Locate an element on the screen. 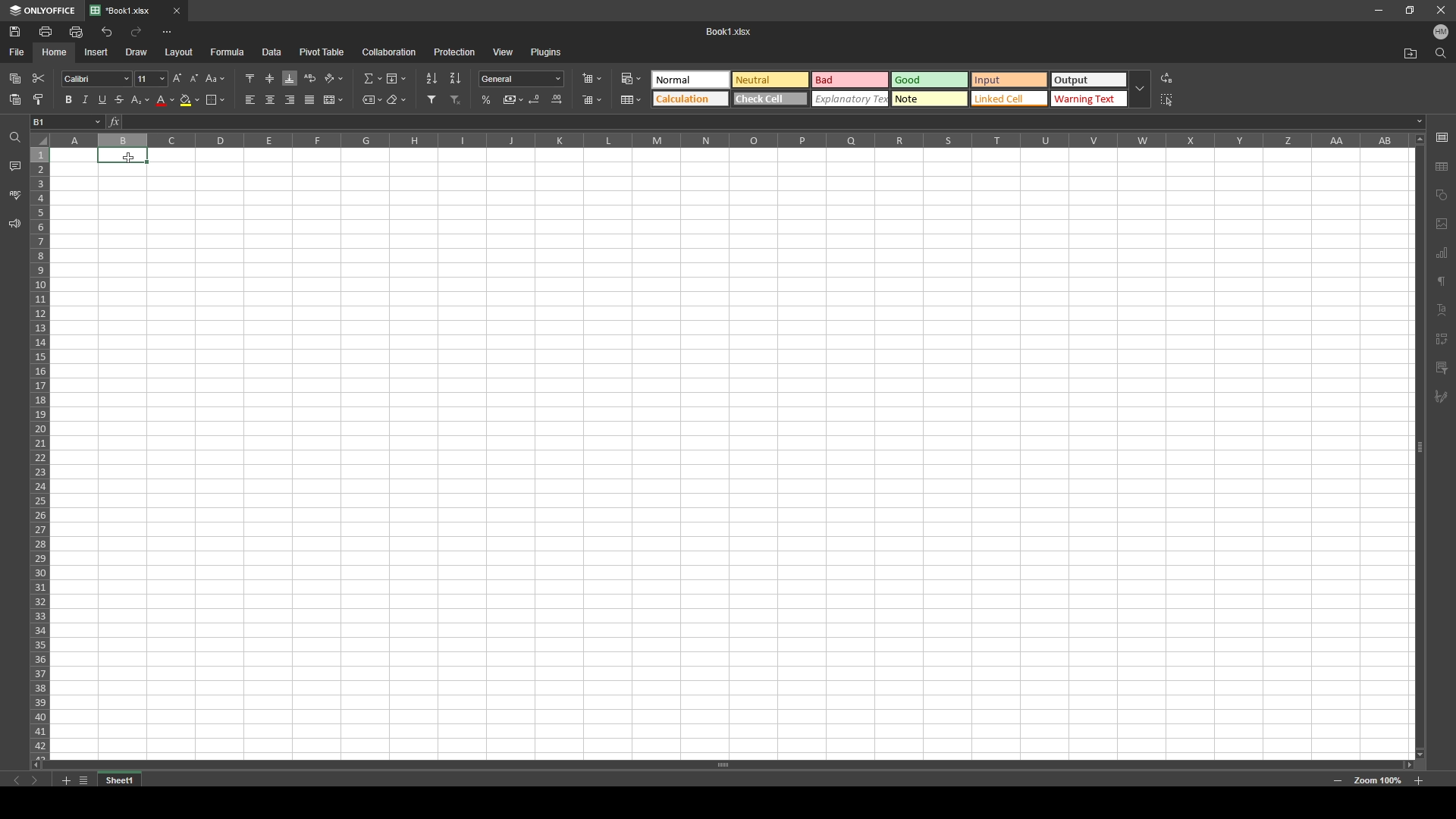 Image resolution: width=1456 pixels, height=819 pixels. text align is located at coordinates (1443, 309).